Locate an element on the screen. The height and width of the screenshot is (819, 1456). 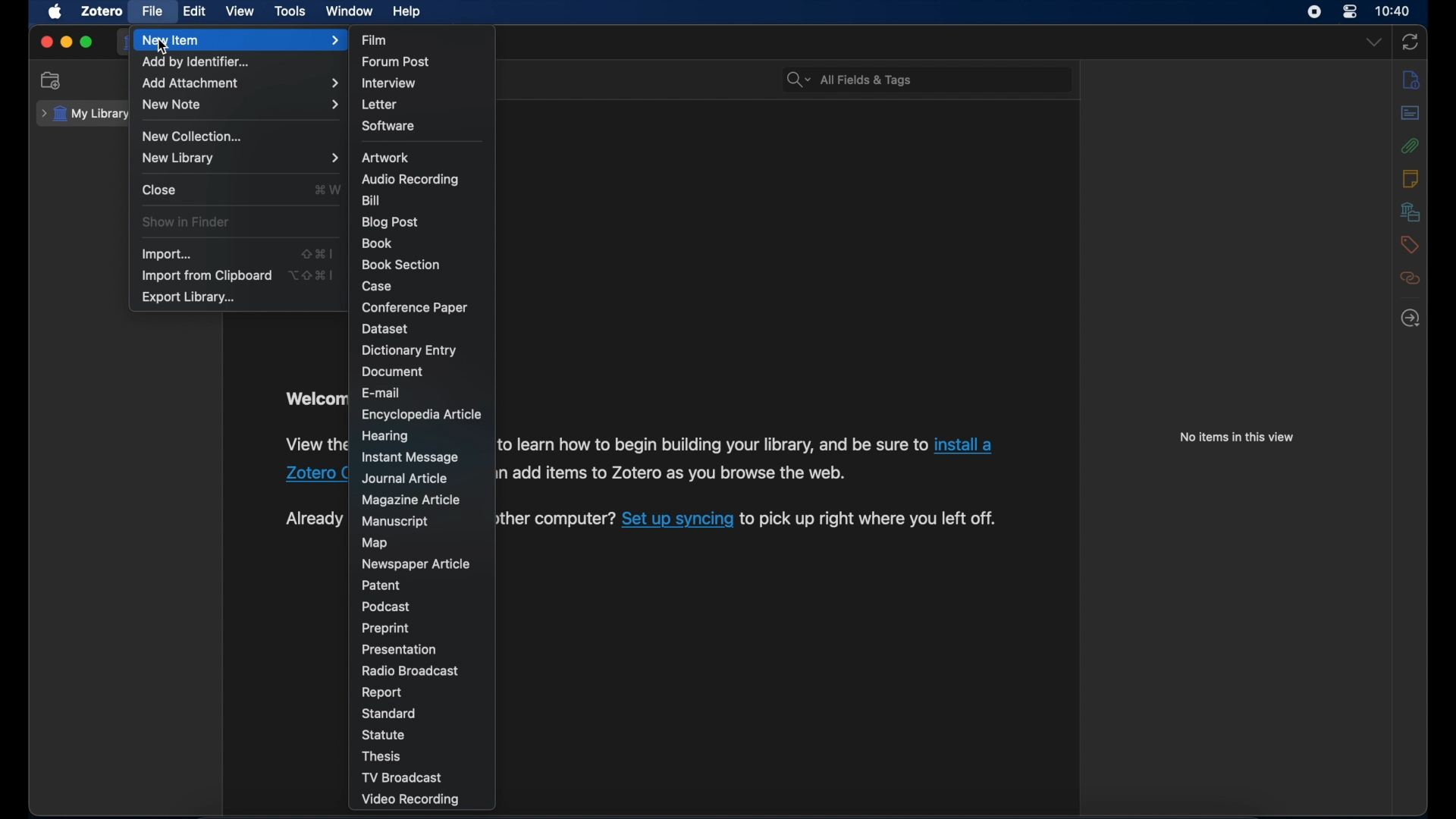
another computer? is located at coordinates (555, 518).